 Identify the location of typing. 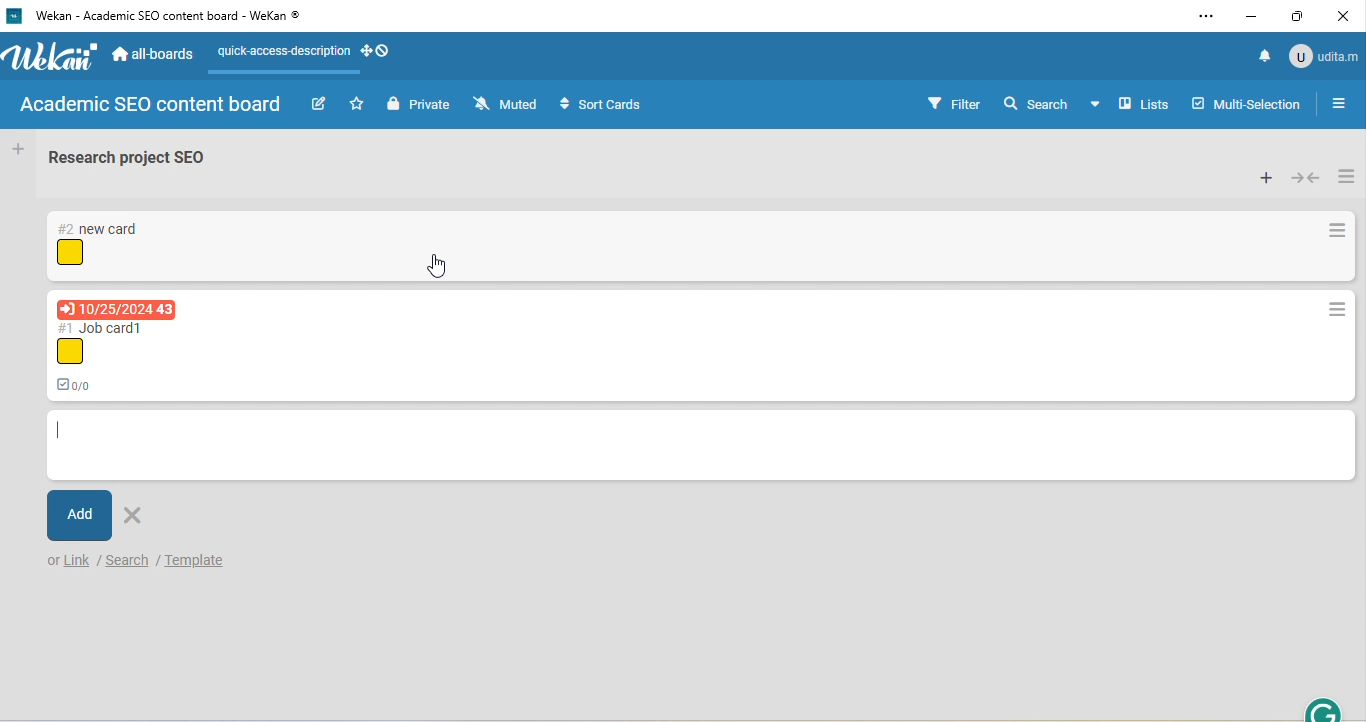
(60, 432).